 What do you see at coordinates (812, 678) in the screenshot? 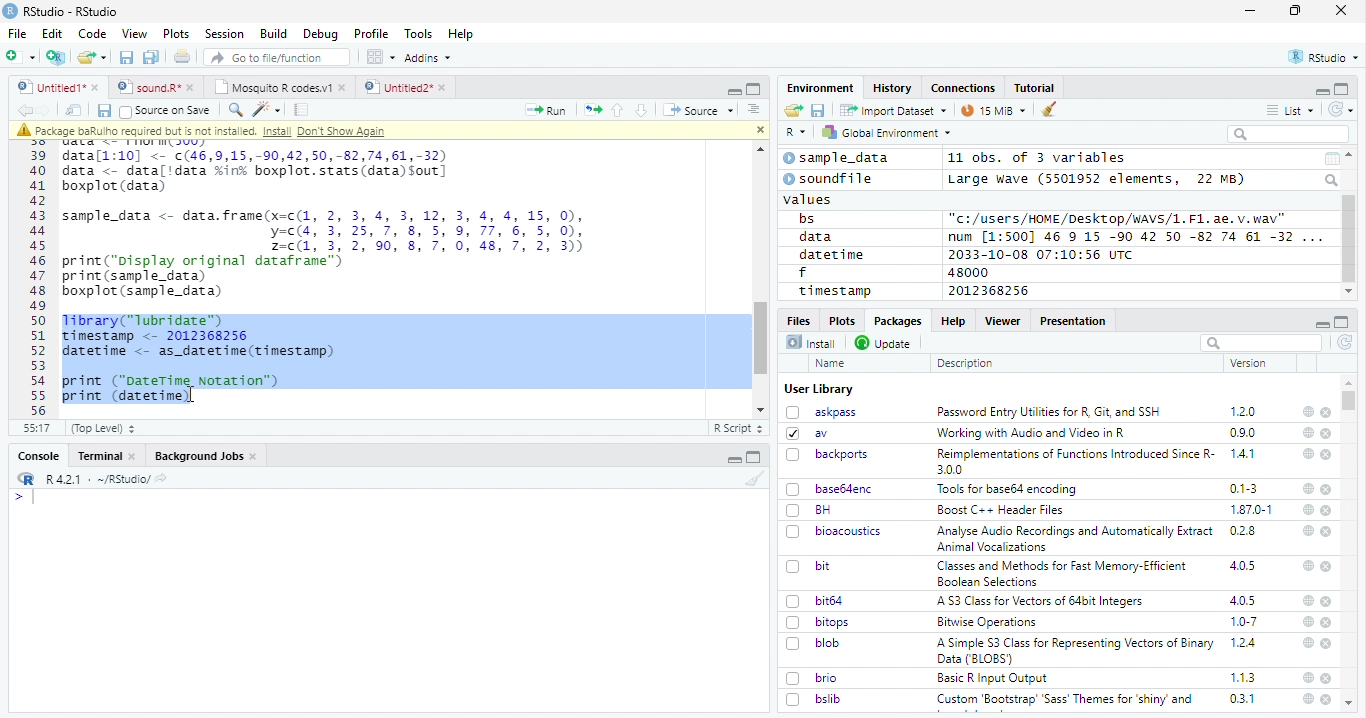
I see `brio` at bounding box center [812, 678].